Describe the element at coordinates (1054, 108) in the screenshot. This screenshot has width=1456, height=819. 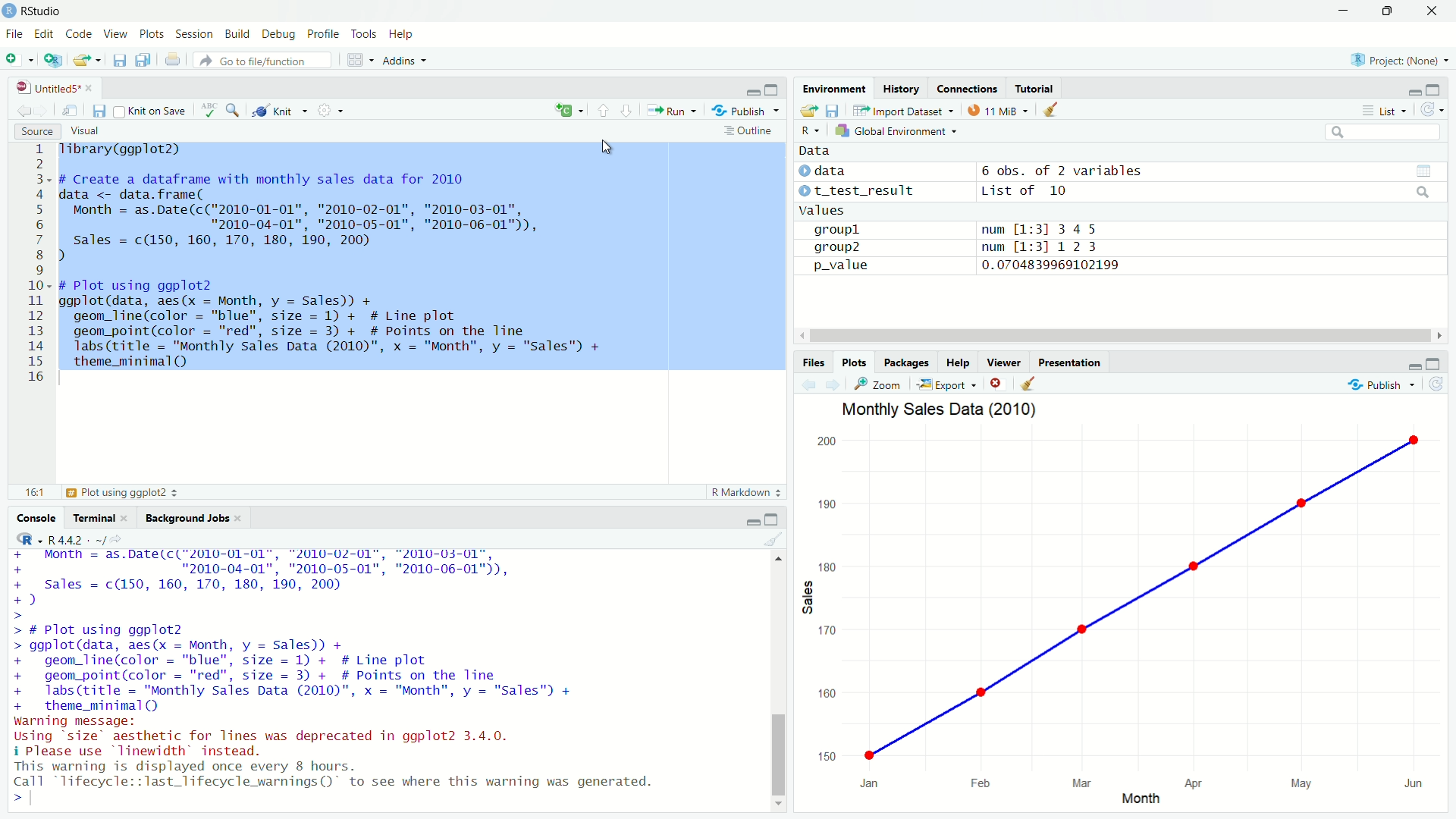
I see `clear object from workspace` at that location.